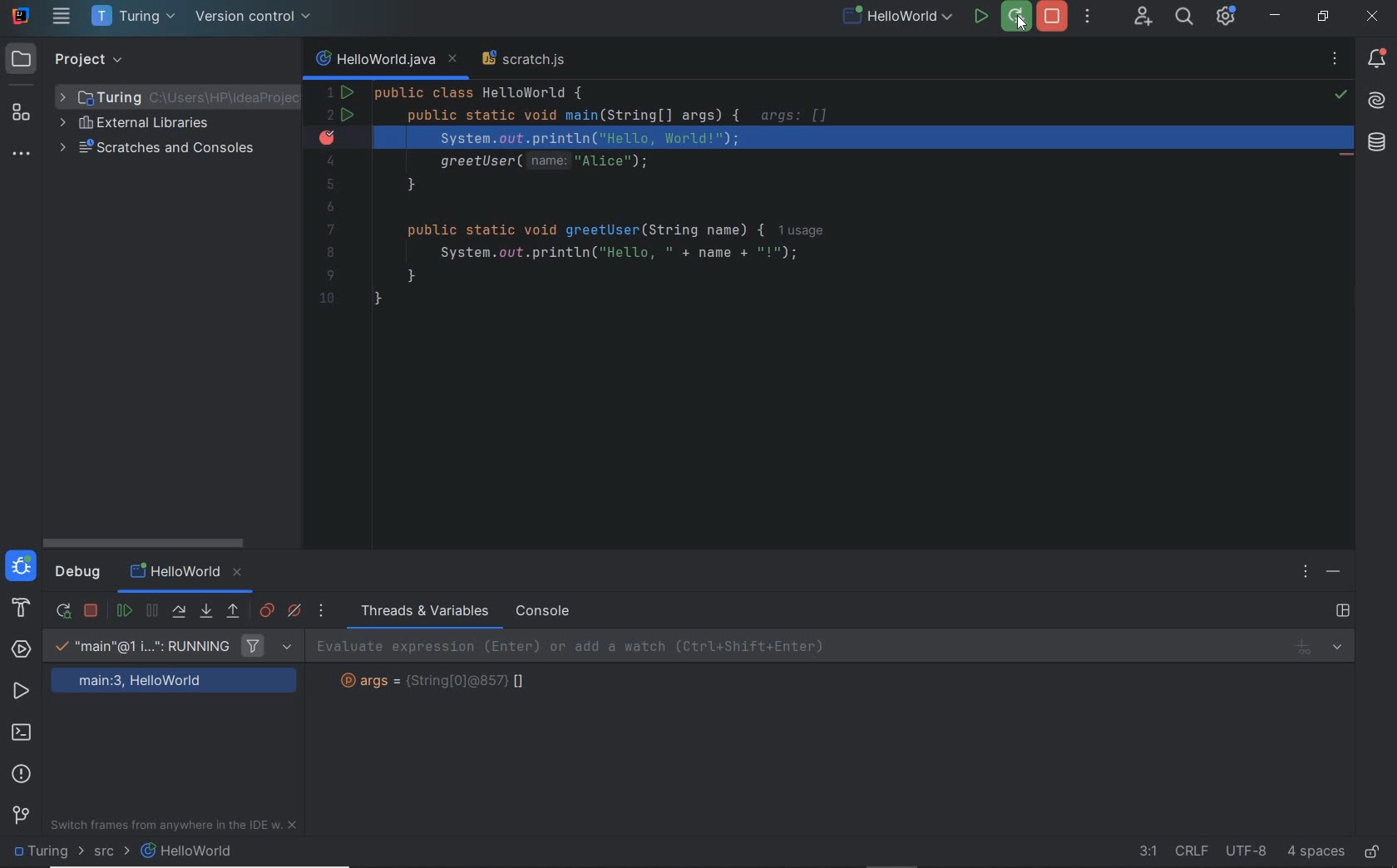  What do you see at coordinates (17, 610) in the screenshot?
I see `build` at bounding box center [17, 610].